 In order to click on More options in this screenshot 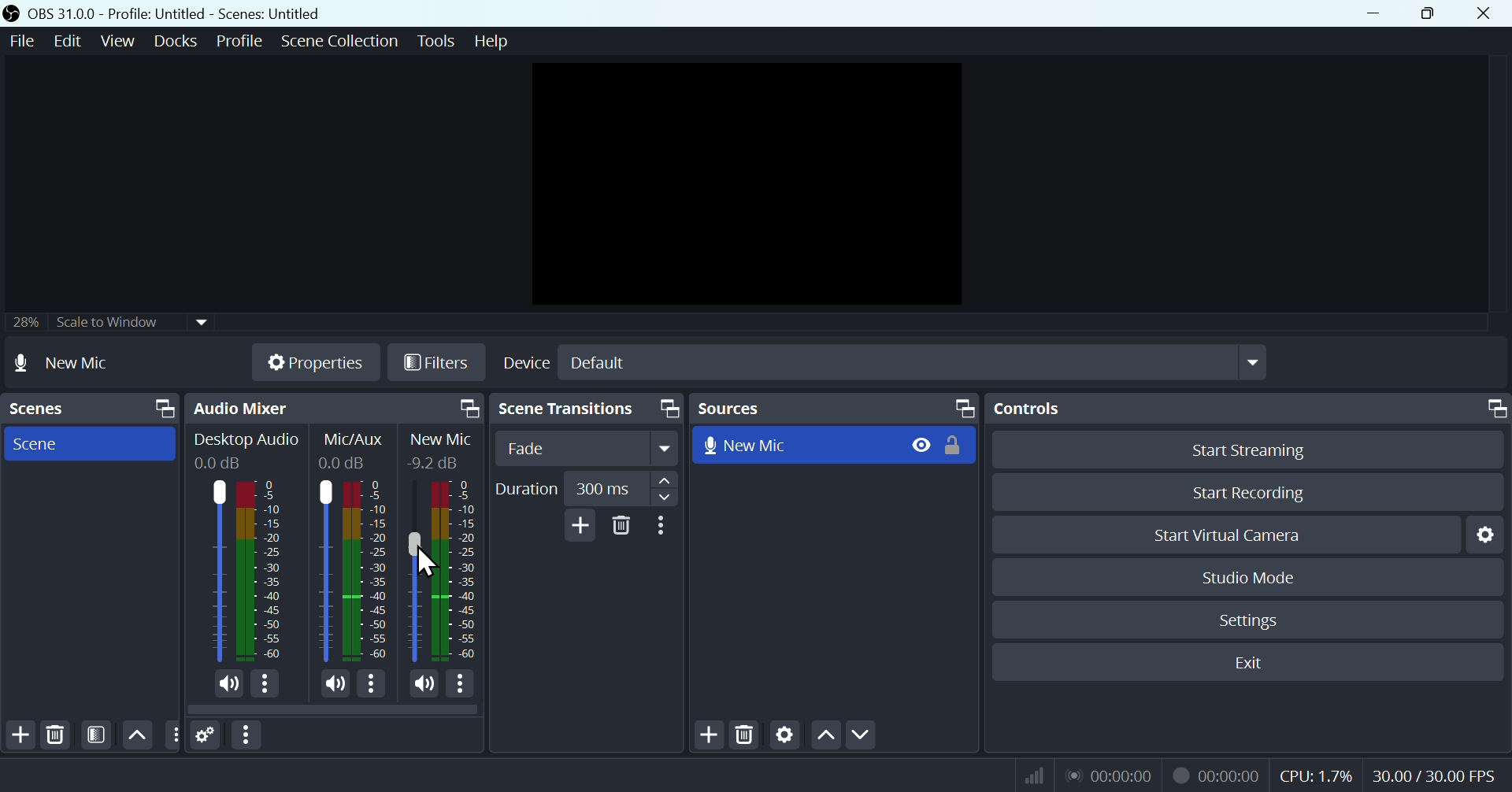, I will do `click(461, 685)`.